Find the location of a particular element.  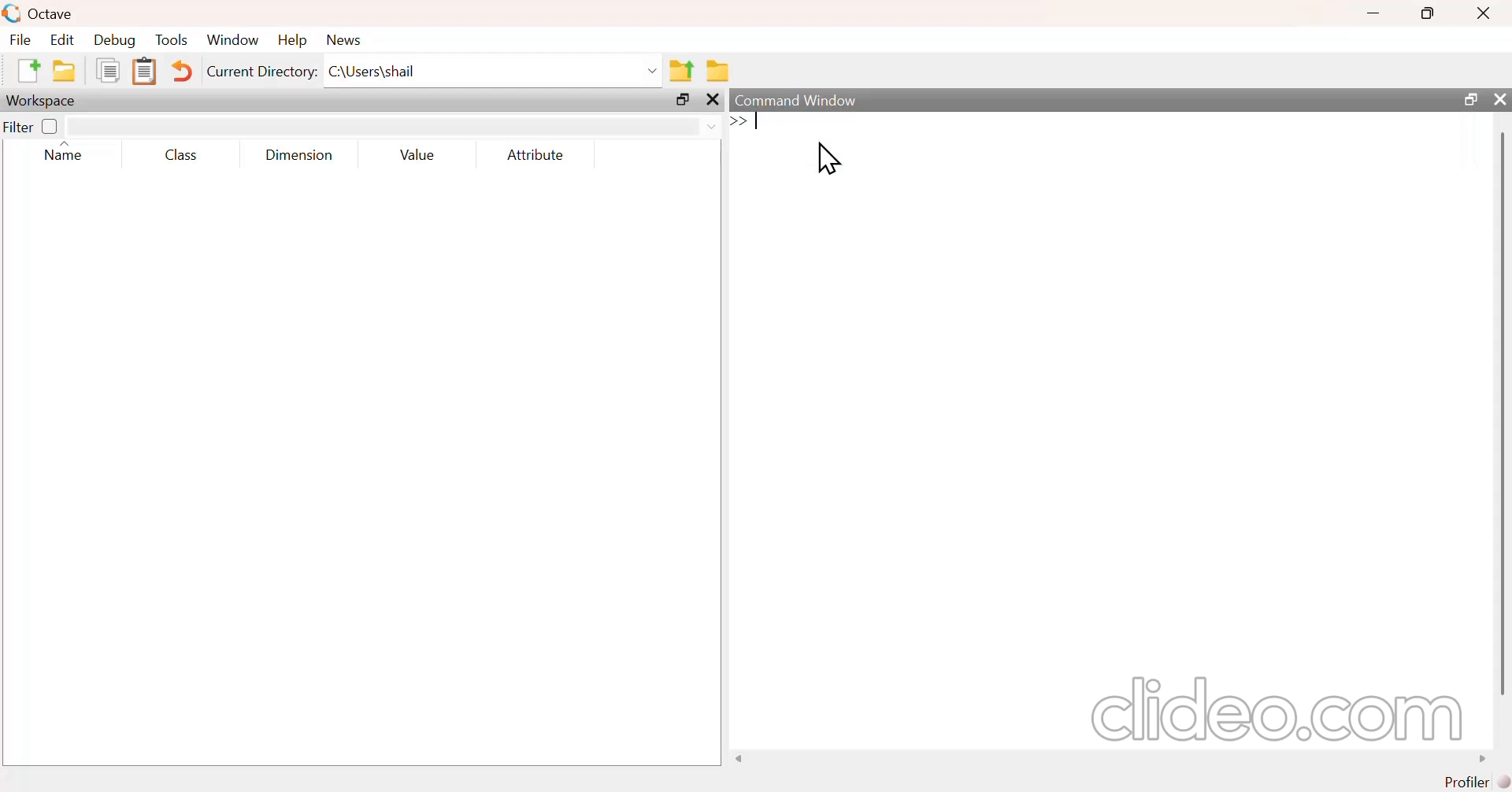

close is located at coordinates (1501, 100).